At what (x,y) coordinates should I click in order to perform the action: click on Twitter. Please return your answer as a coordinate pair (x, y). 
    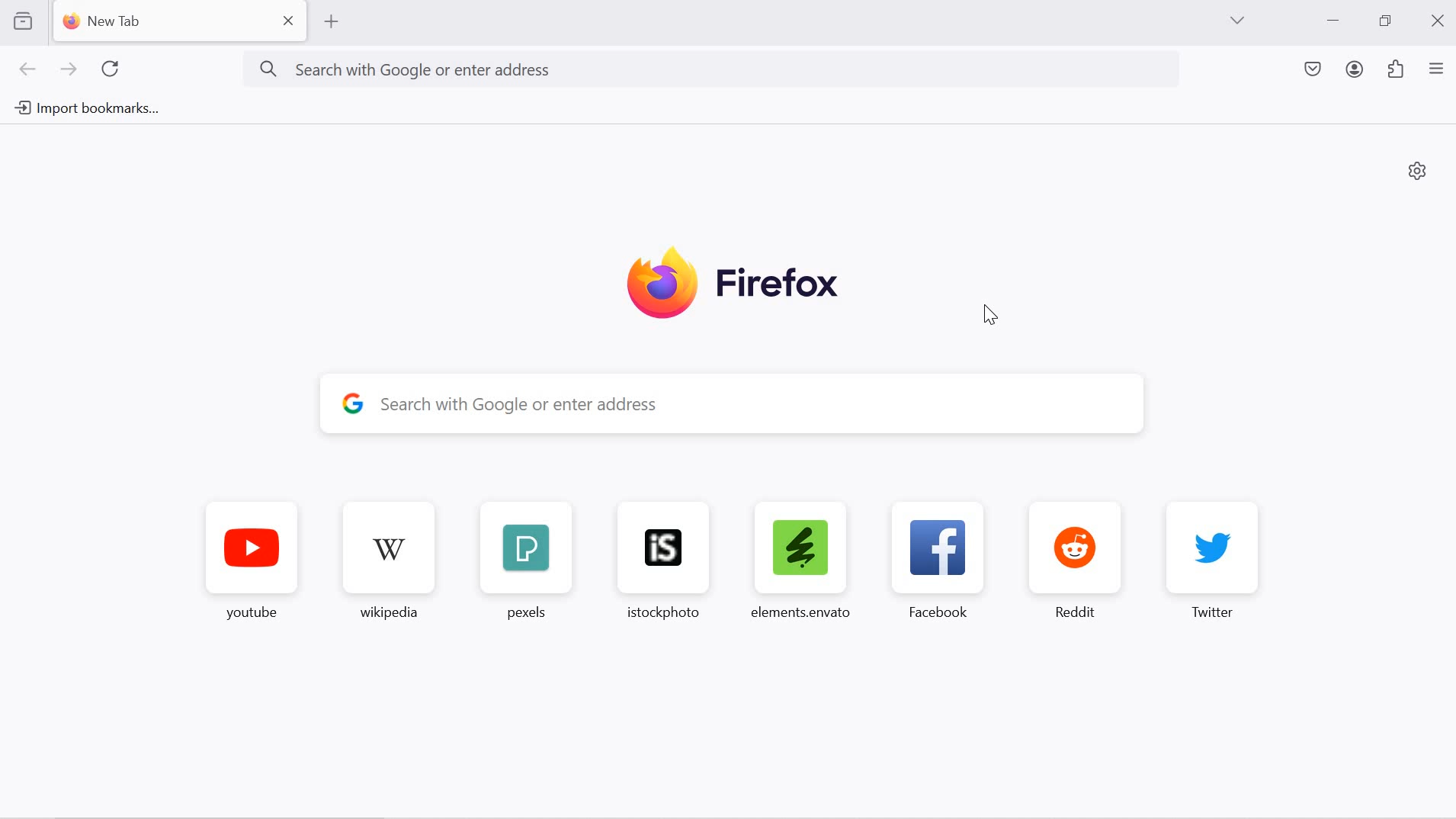
    Looking at the image, I should click on (1211, 571).